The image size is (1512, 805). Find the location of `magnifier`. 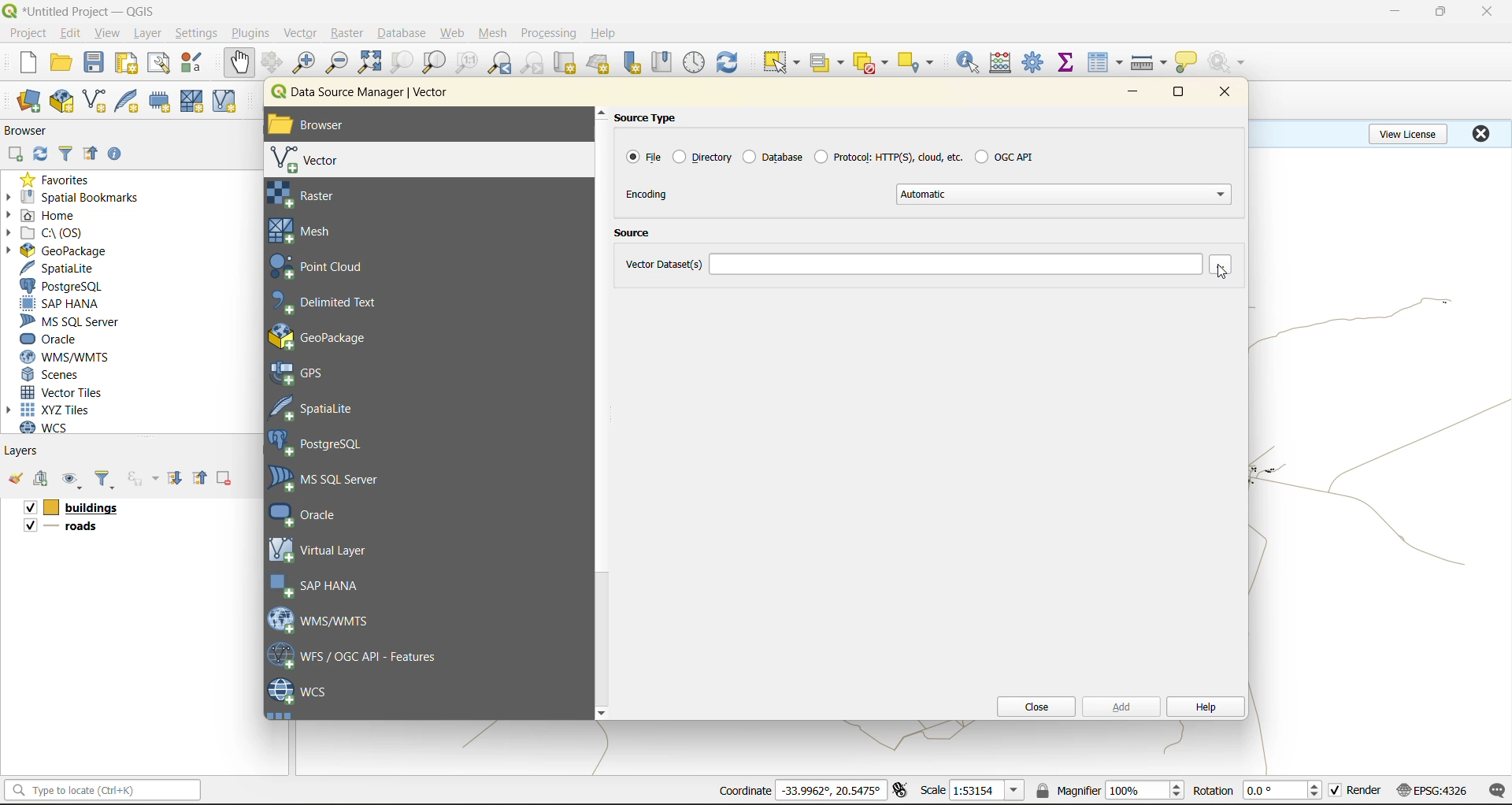

magnifier is located at coordinates (1067, 790).